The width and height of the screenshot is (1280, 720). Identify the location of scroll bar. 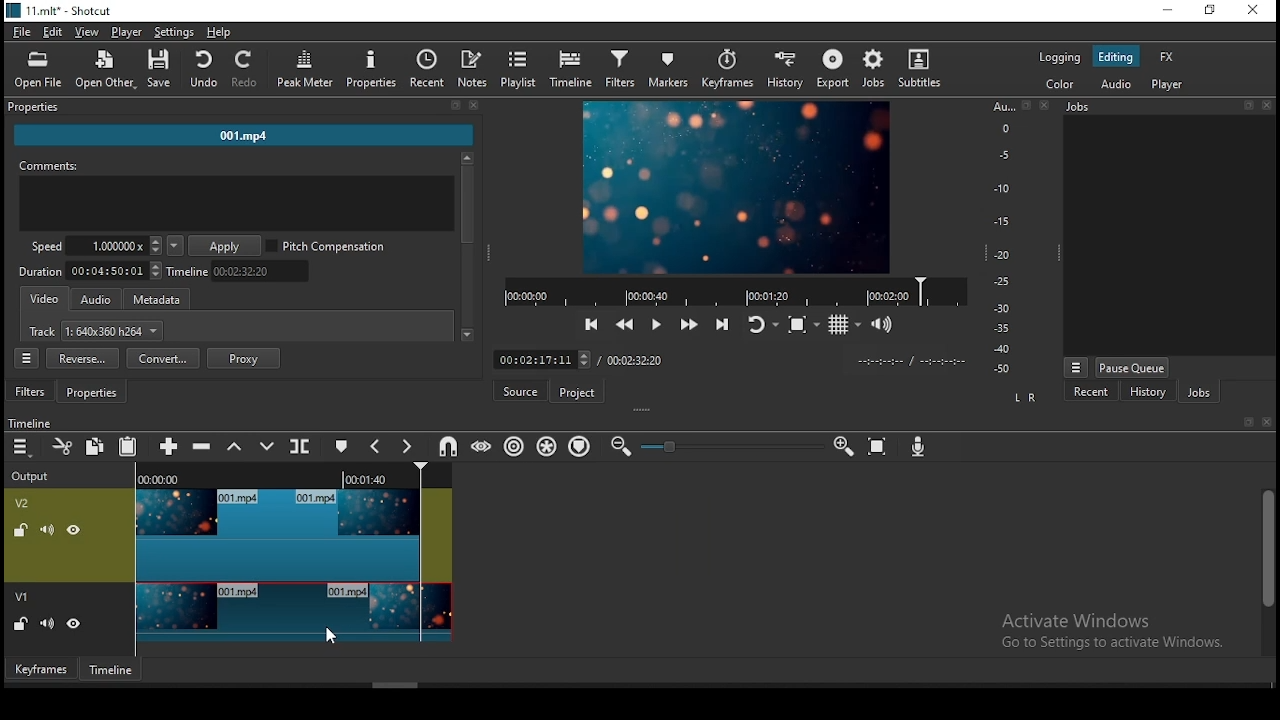
(1266, 570).